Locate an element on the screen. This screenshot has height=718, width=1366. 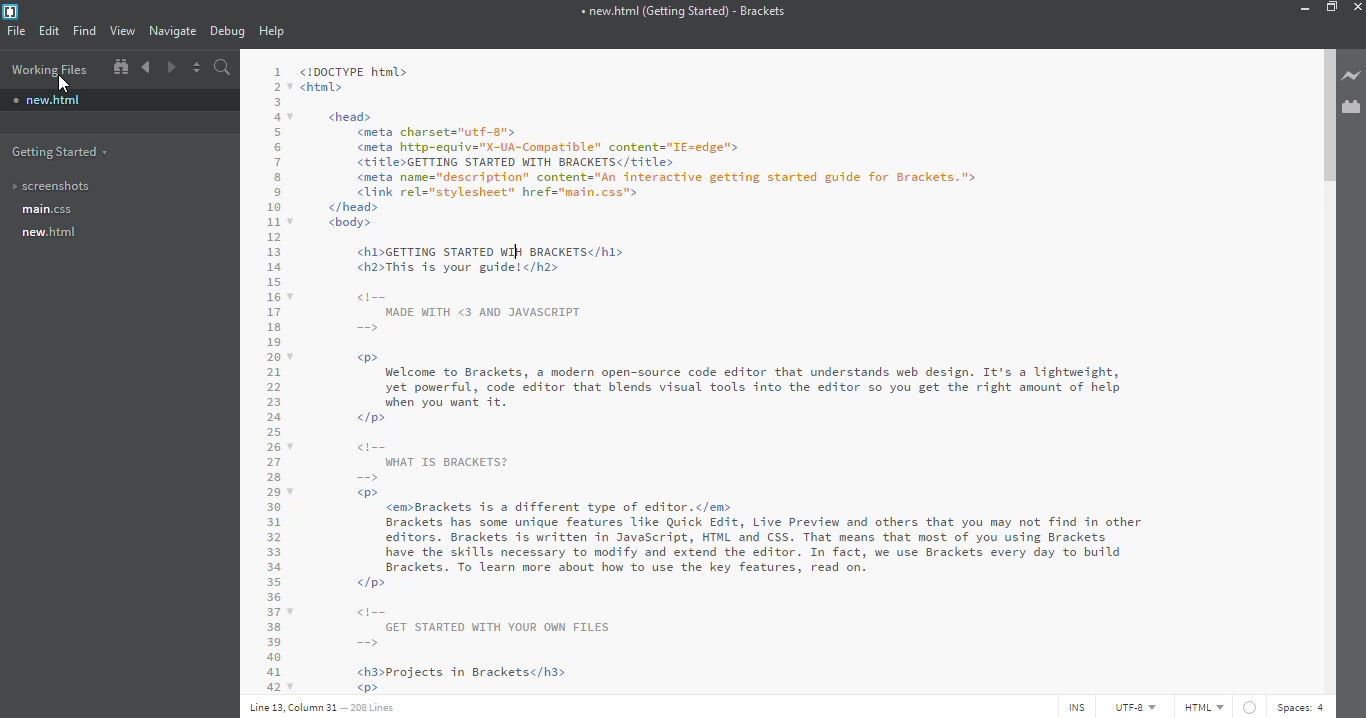
linter is located at coordinates (1249, 707).